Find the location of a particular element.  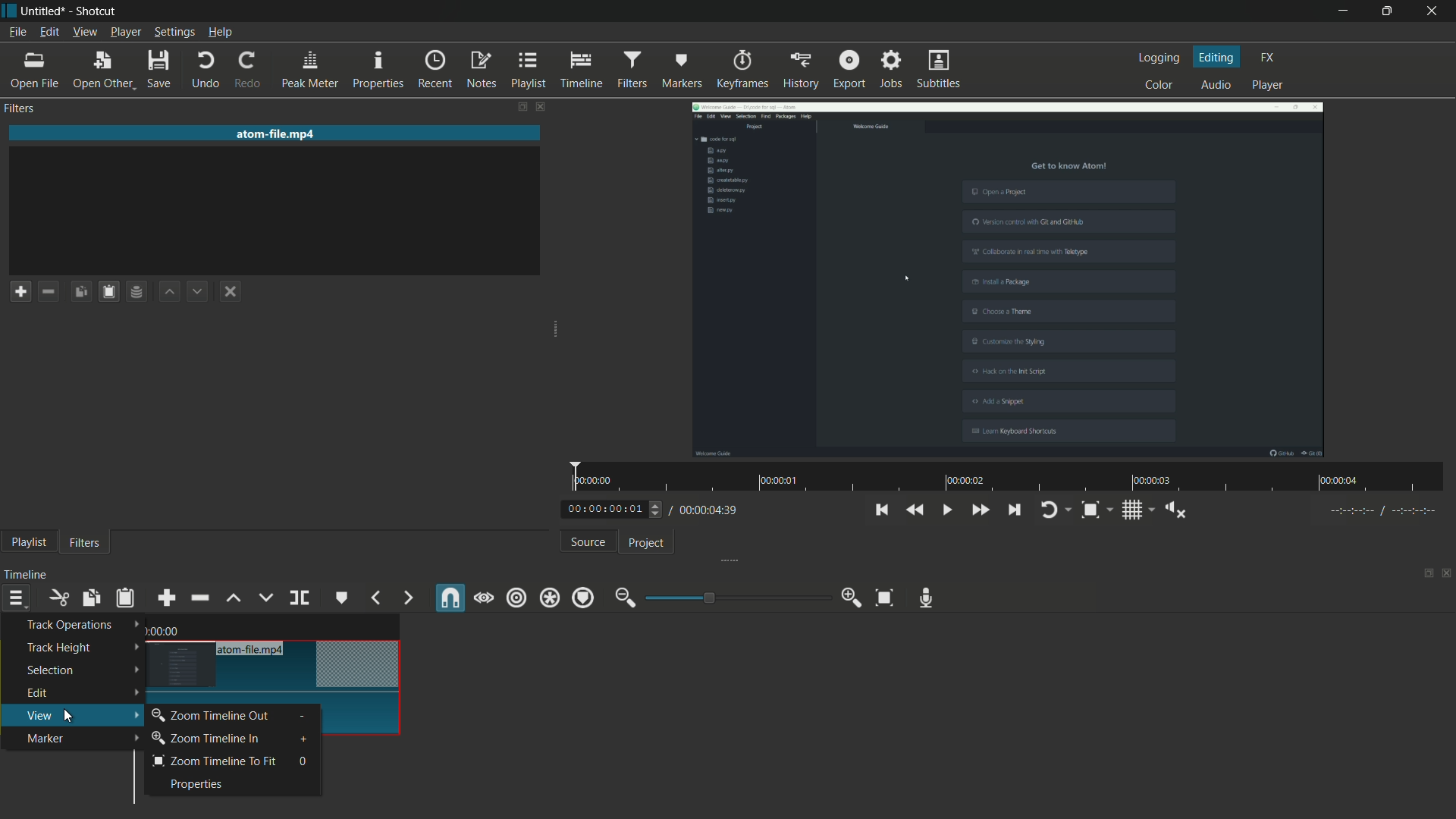

settings menu is located at coordinates (173, 33).